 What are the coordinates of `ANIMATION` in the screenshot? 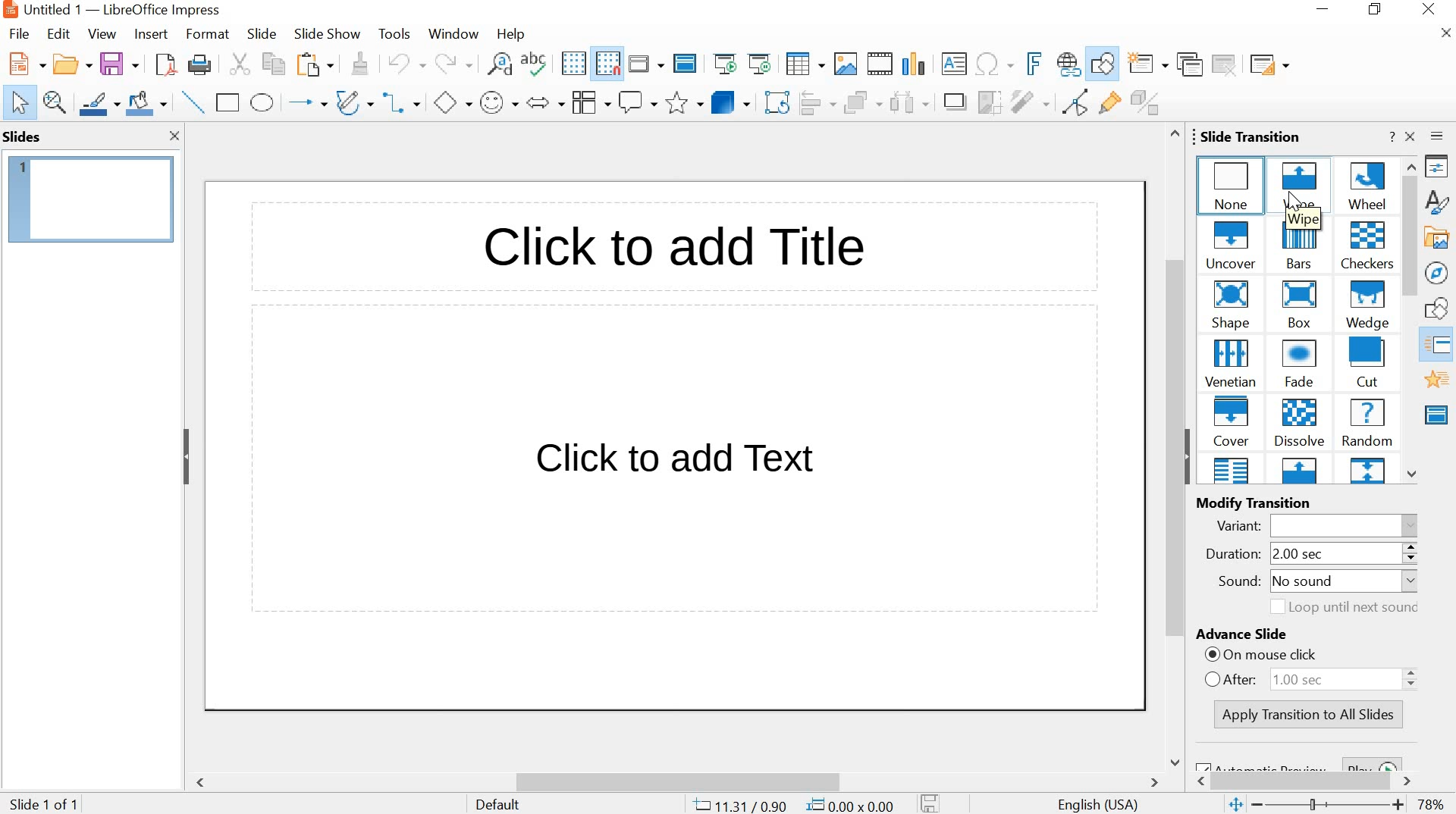 It's located at (1437, 380).